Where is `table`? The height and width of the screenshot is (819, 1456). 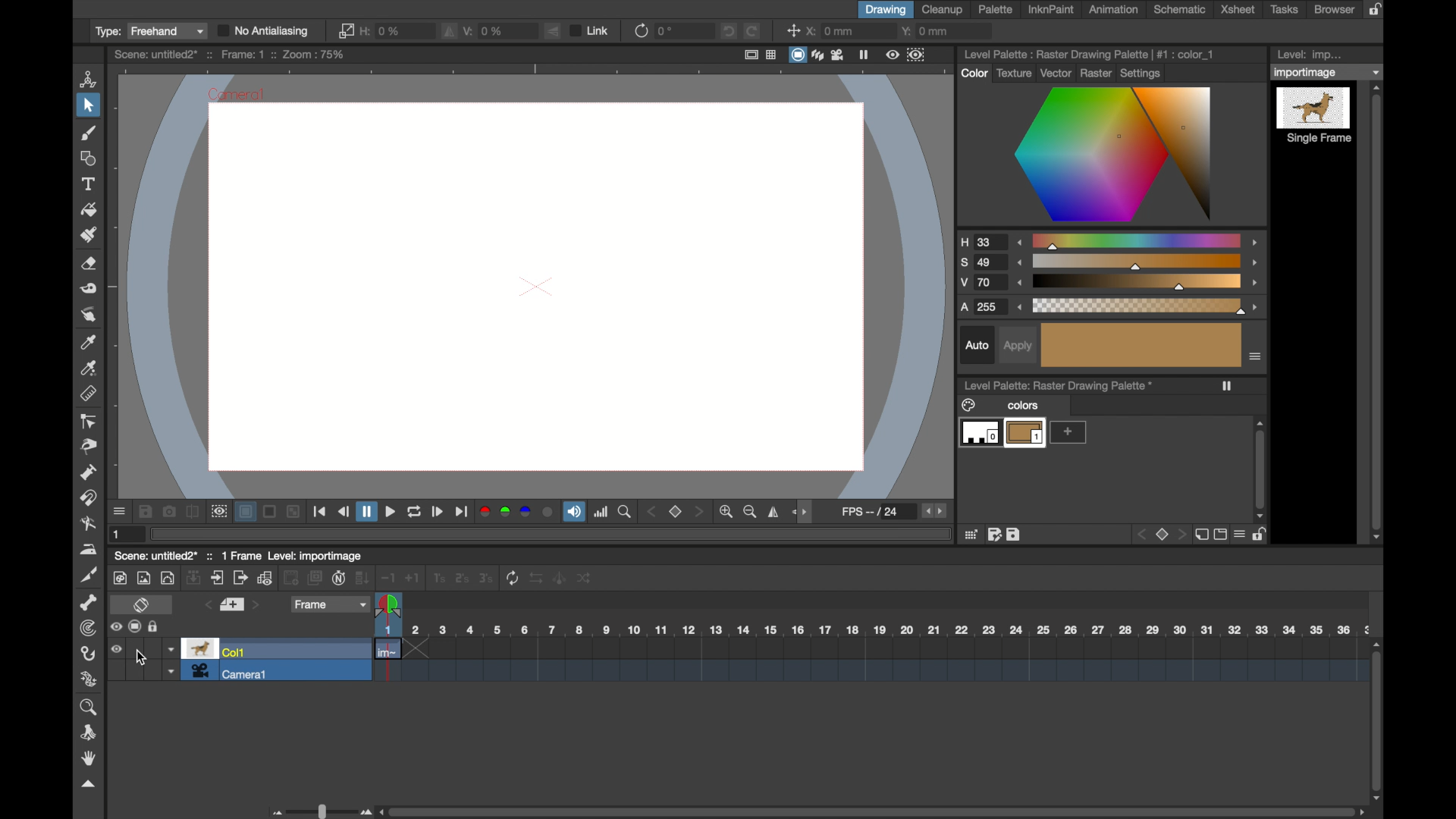
table is located at coordinates (772, 55).